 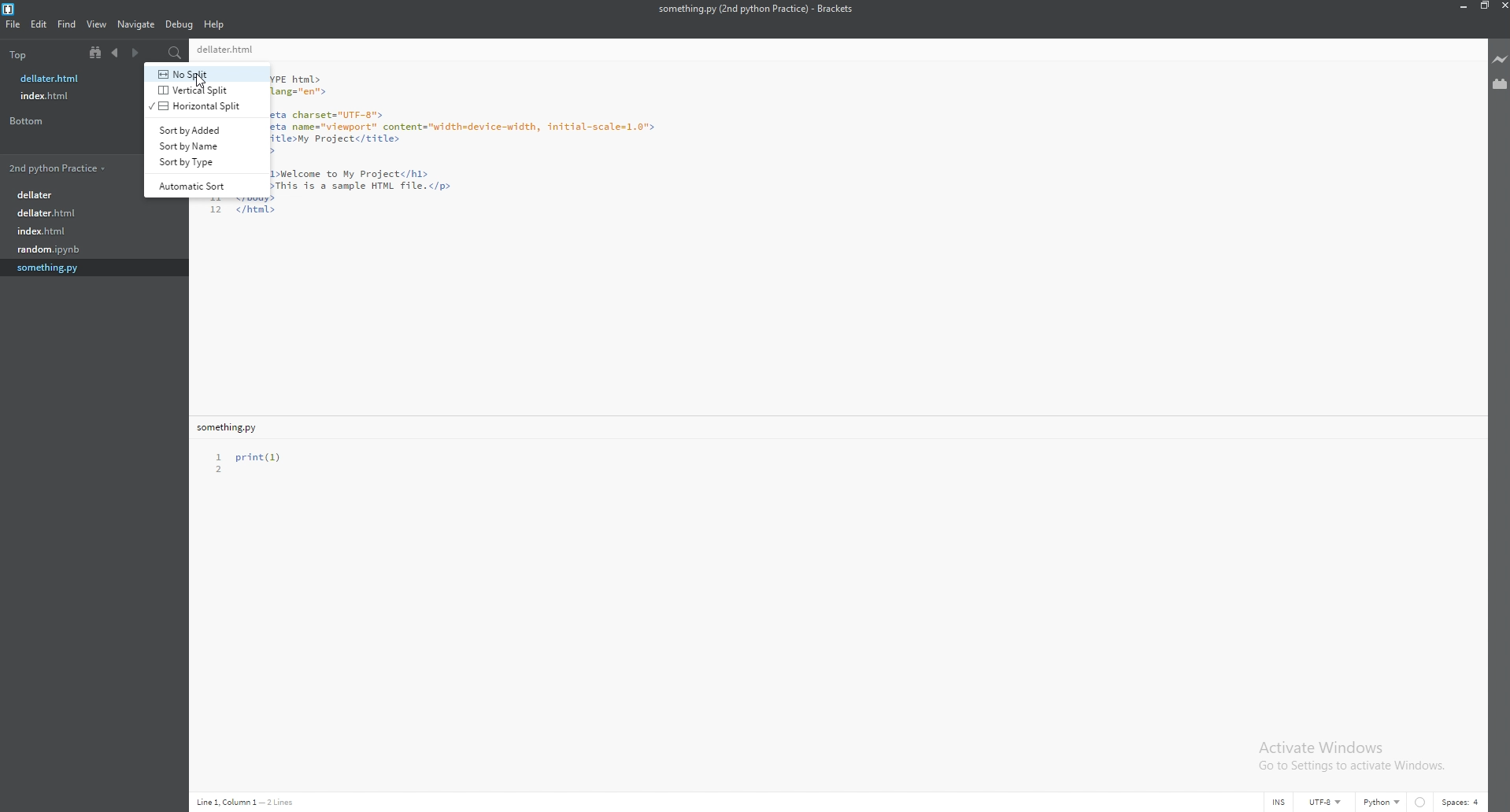 What do you see at coordinates (1419, 803) in the screenshot?
I see `linter` at bounding box center [1419, 803].